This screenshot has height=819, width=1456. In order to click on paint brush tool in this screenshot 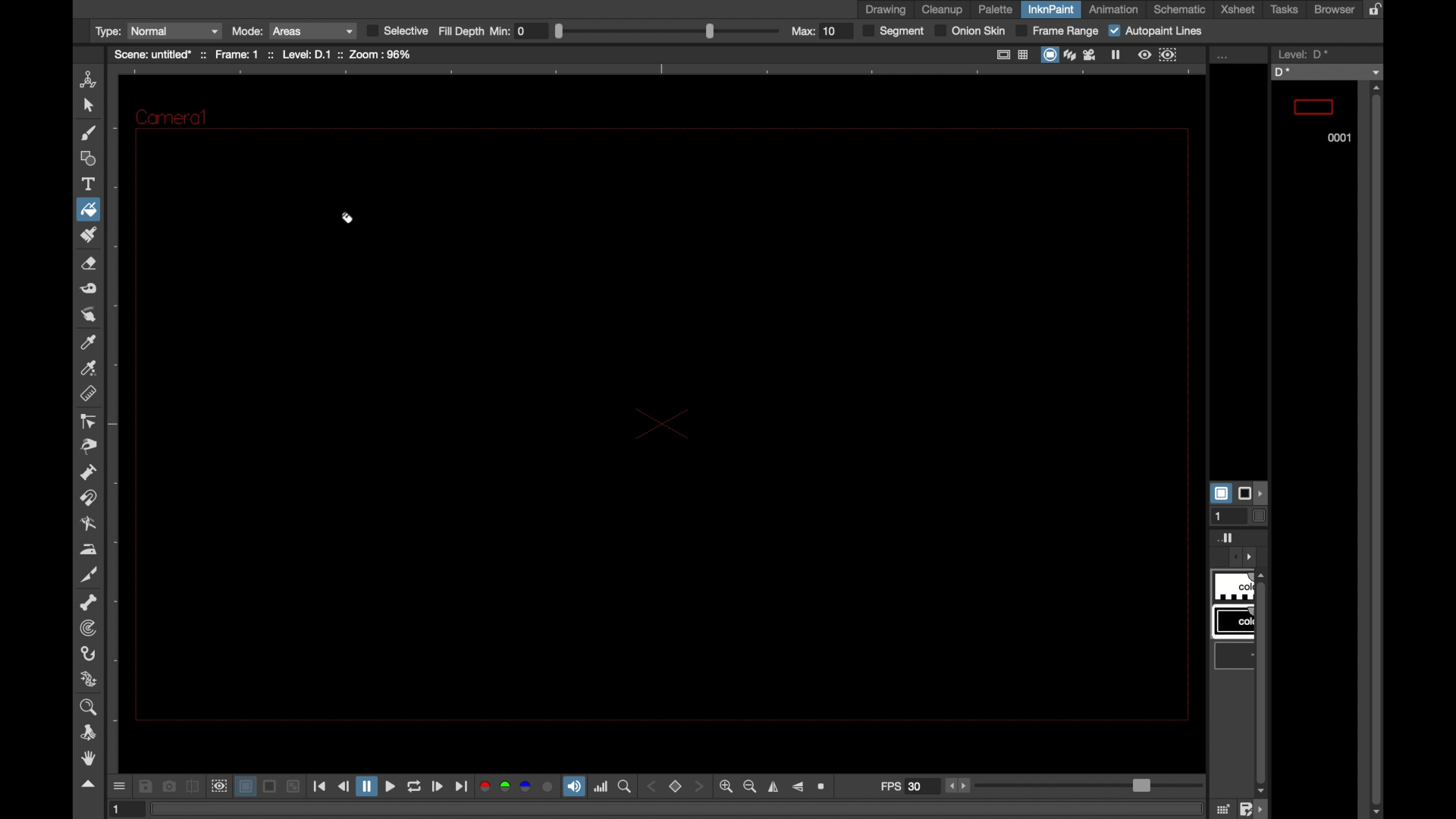, I will do `click(88, 235)`.